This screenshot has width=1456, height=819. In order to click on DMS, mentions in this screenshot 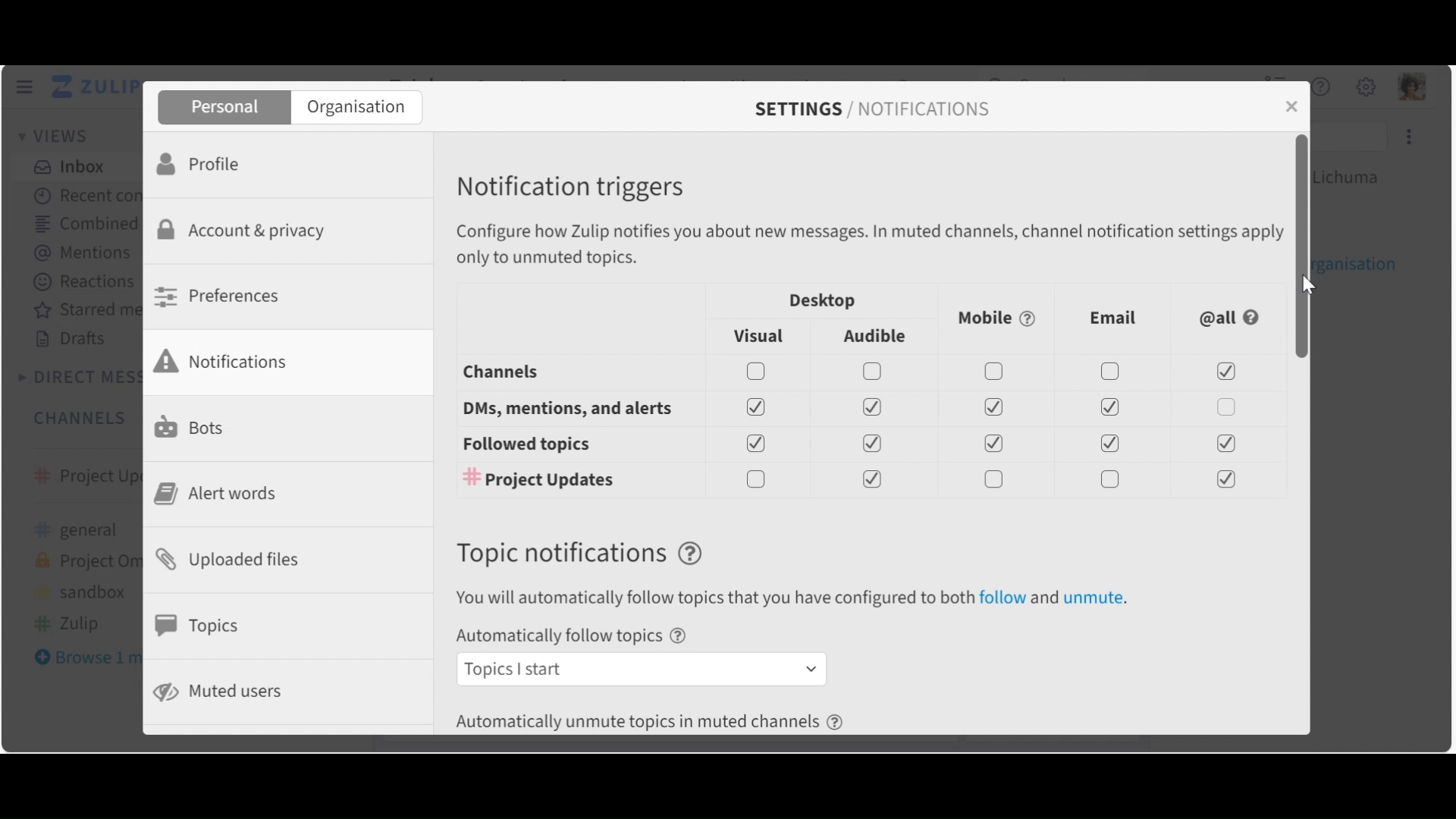, I will do `click(857, 408)`.